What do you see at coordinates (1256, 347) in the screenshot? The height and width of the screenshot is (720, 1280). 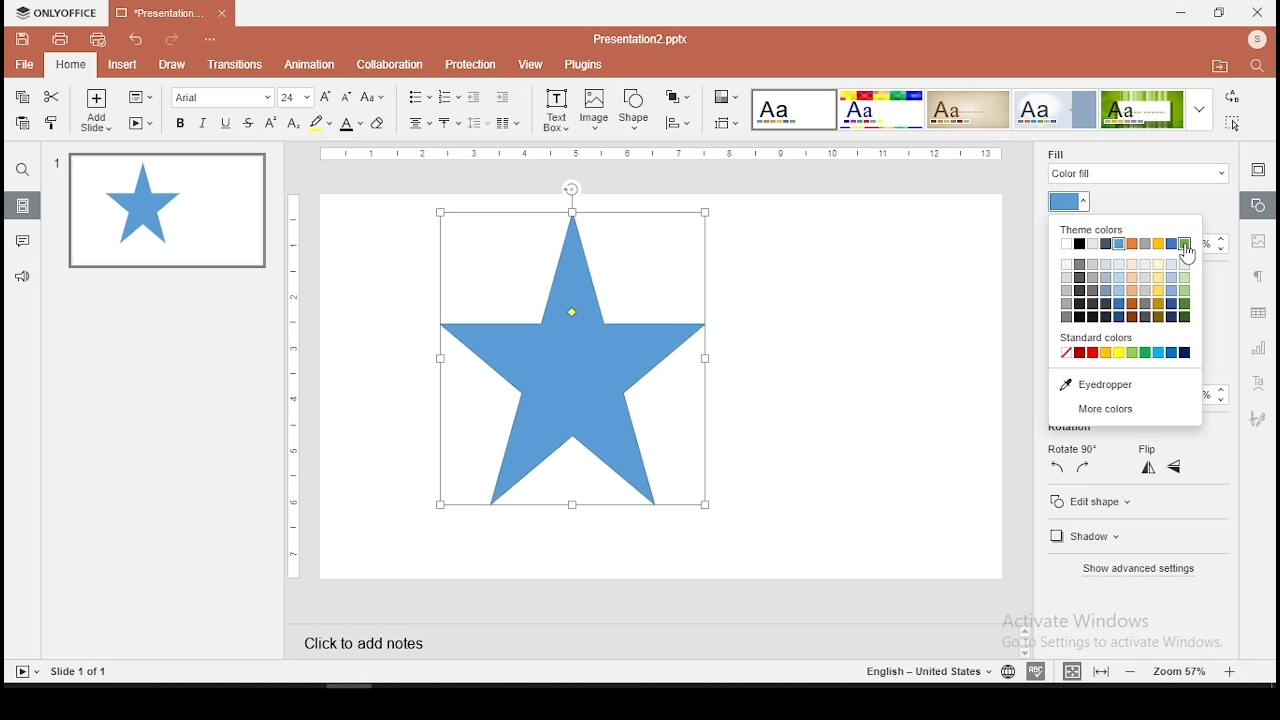 I see `chart settings` at bounding box center [1256, 347].